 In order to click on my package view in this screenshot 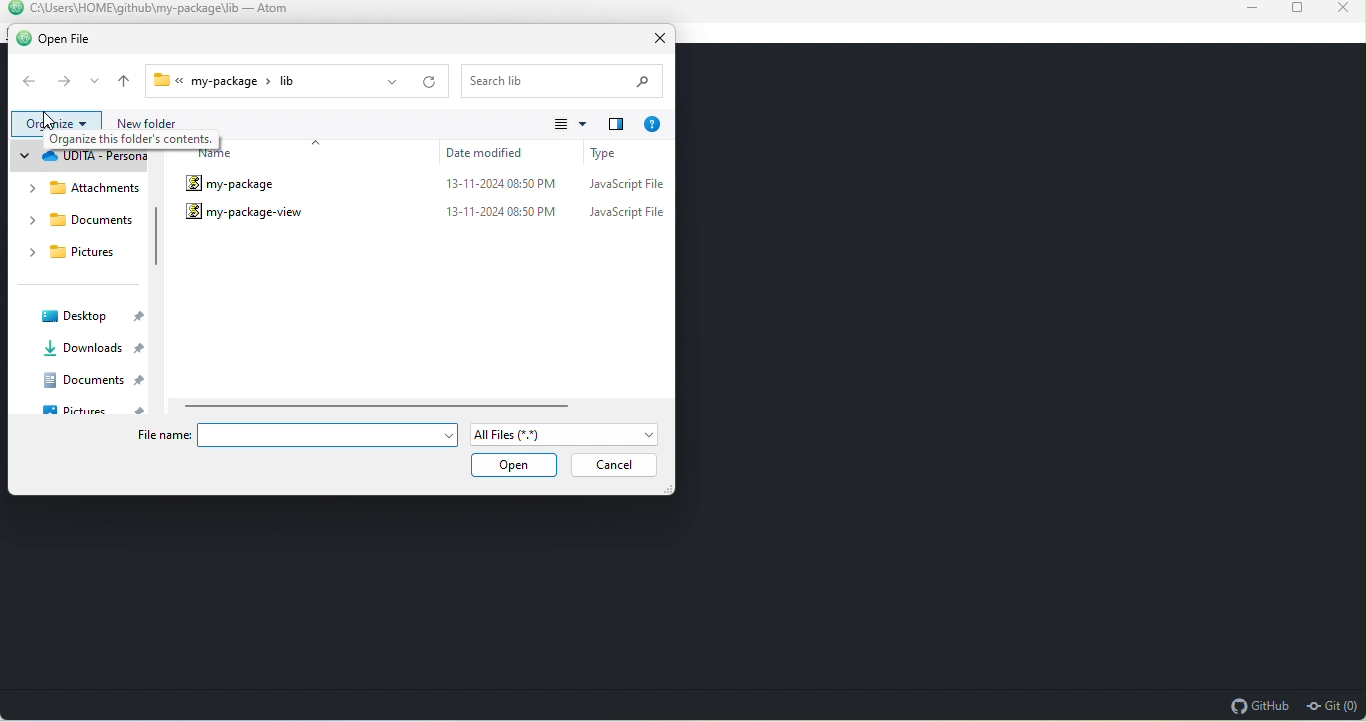, I will do `click(245, 214)`.